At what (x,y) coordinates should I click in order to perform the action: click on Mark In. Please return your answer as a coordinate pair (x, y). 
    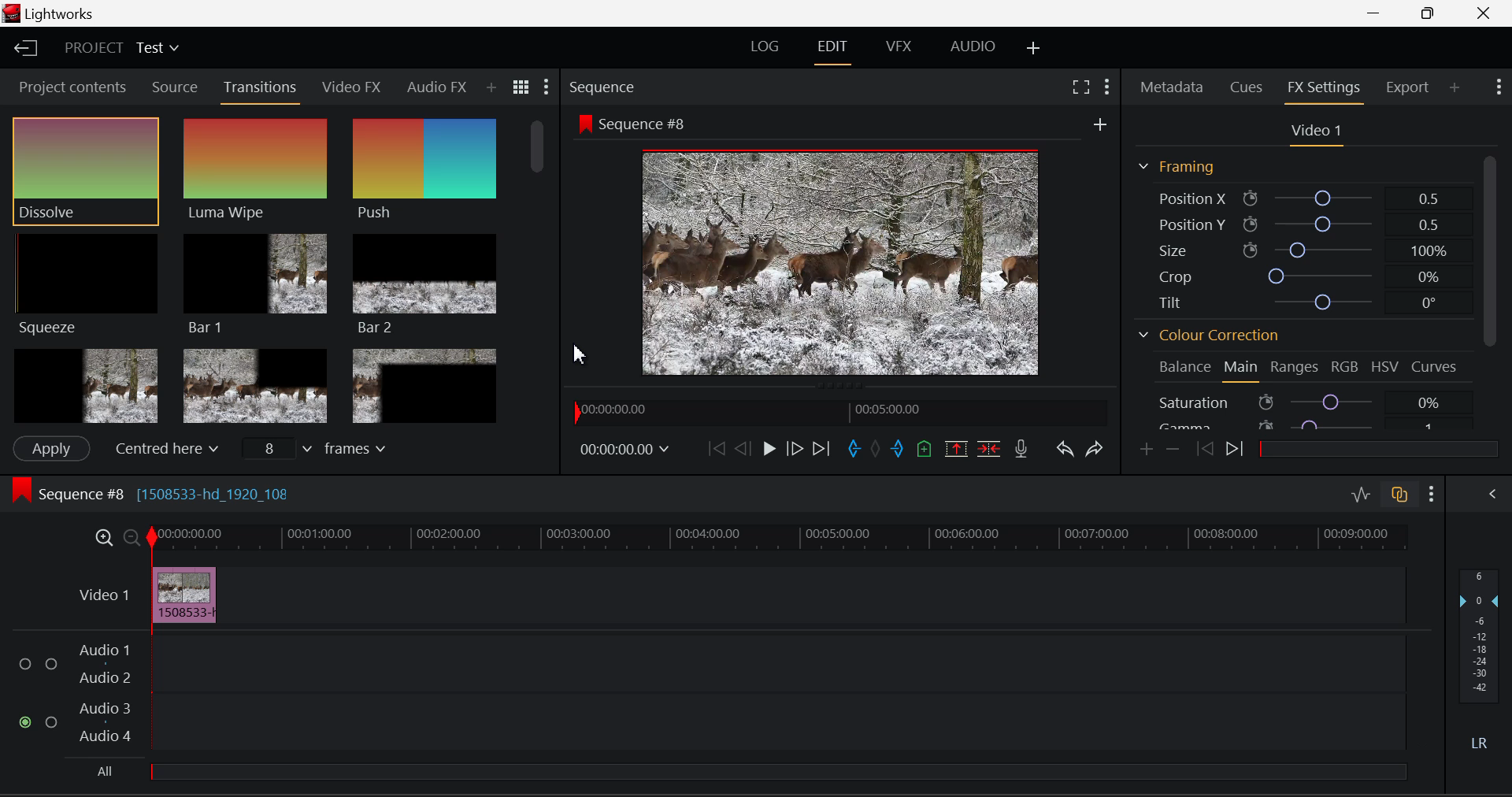
    Looking at the image, I should click on (852, 450).